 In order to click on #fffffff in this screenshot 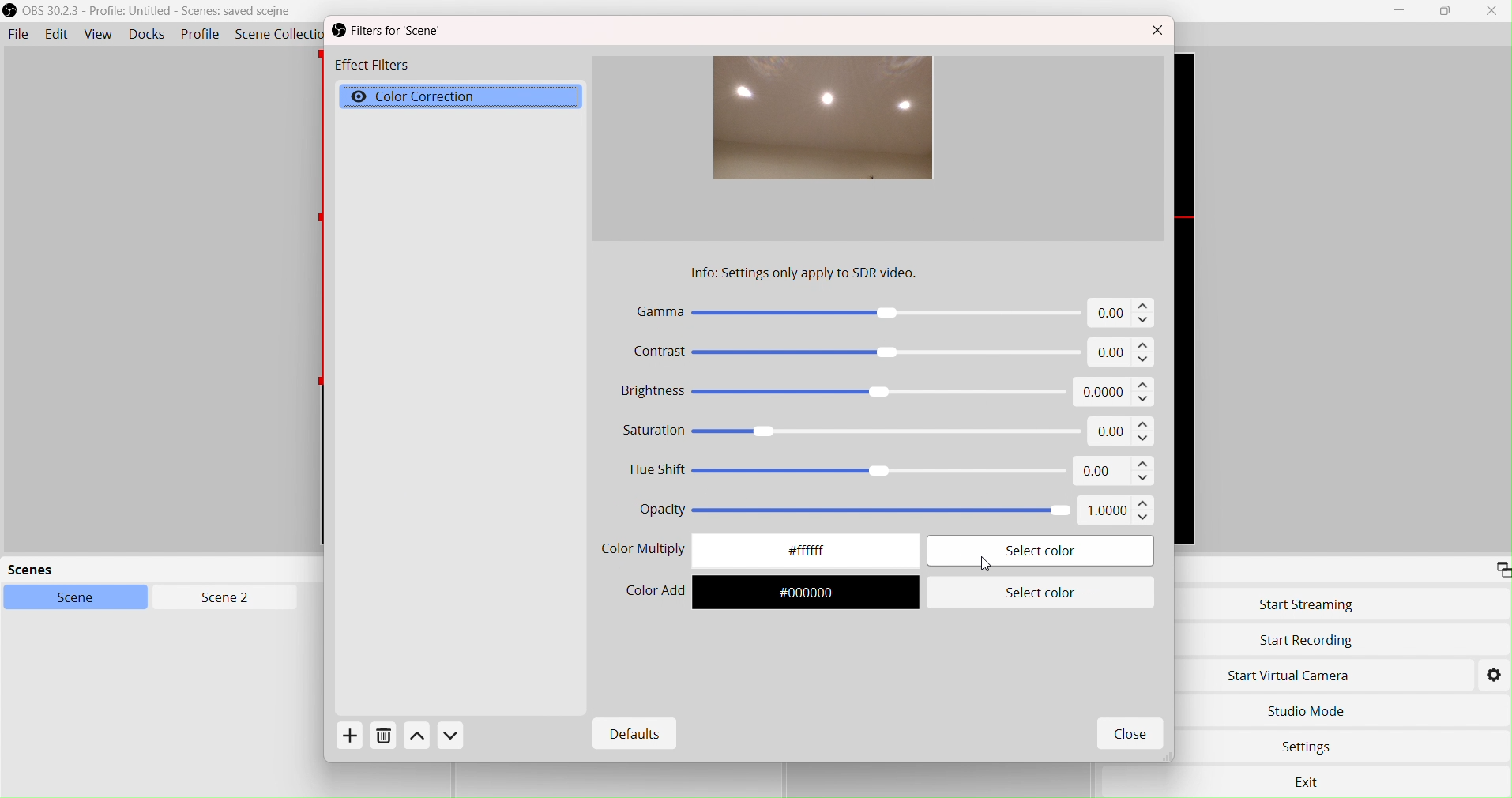, I will do `click(814, 552)`.